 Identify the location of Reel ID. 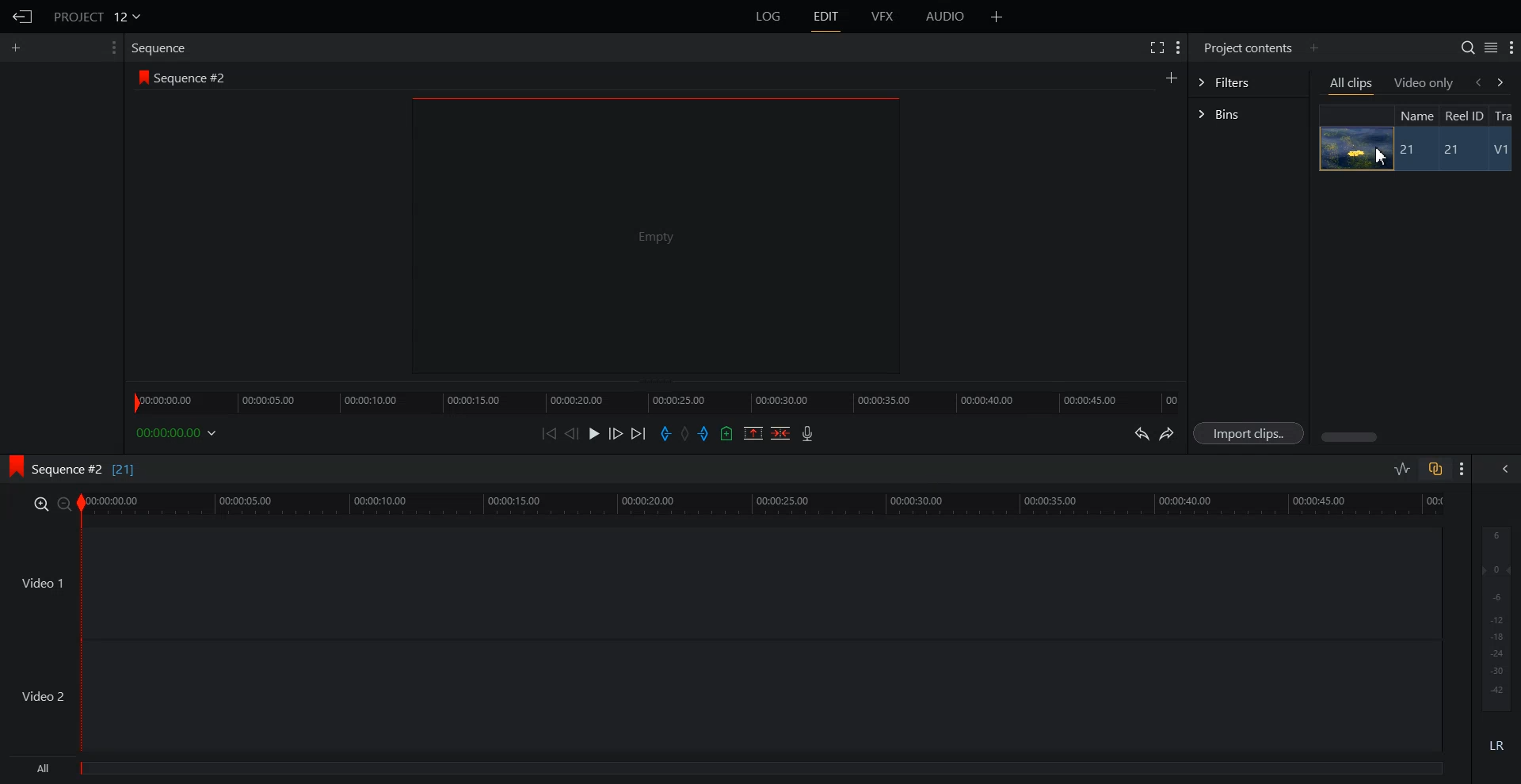
(1463, 116).